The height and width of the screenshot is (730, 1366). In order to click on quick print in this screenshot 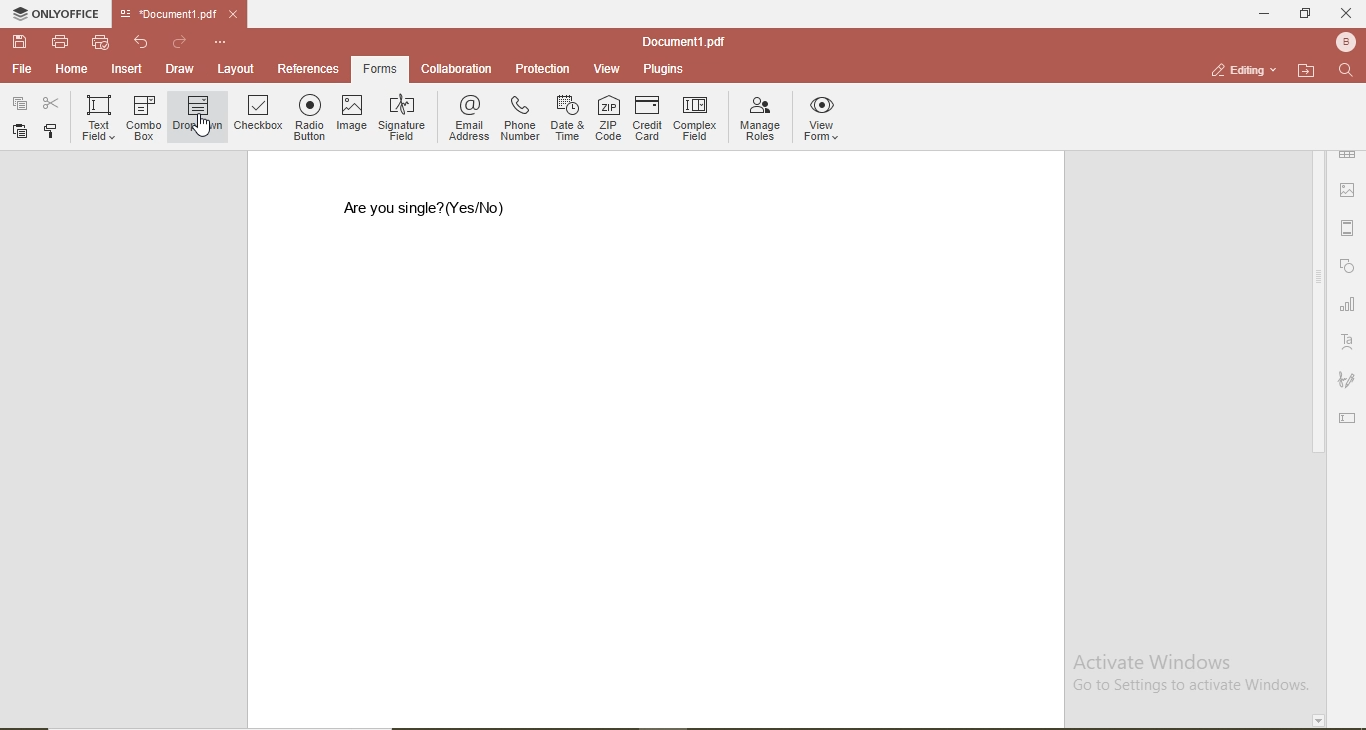, I will do `click(101, 43)`.